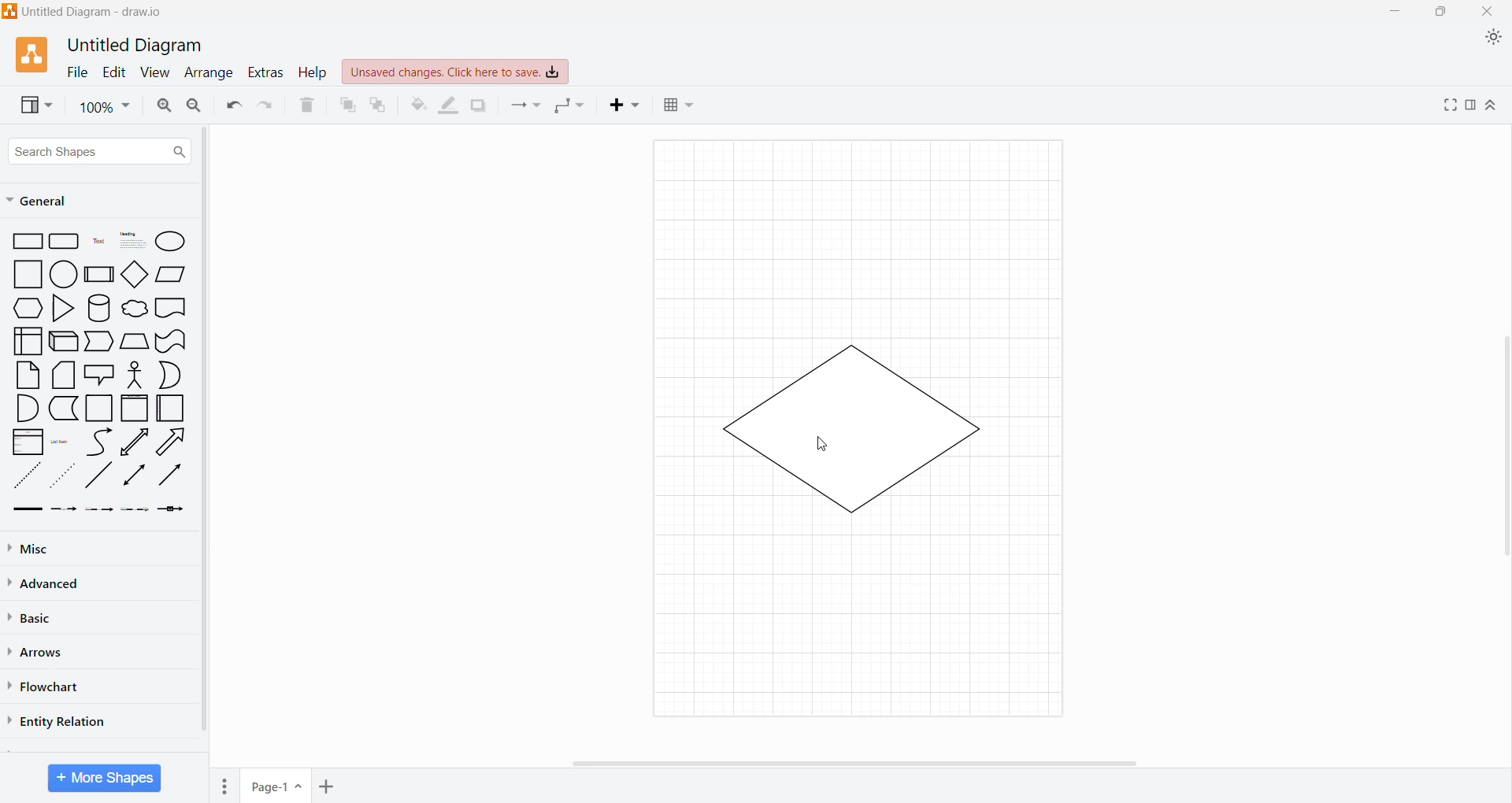 Image resolution: width=1512 pixels, height=803 pixels. What do you see at coordinates (105, 107) in the screenshot?
I see `Zoom 100%` at bounding box center [105, 107].